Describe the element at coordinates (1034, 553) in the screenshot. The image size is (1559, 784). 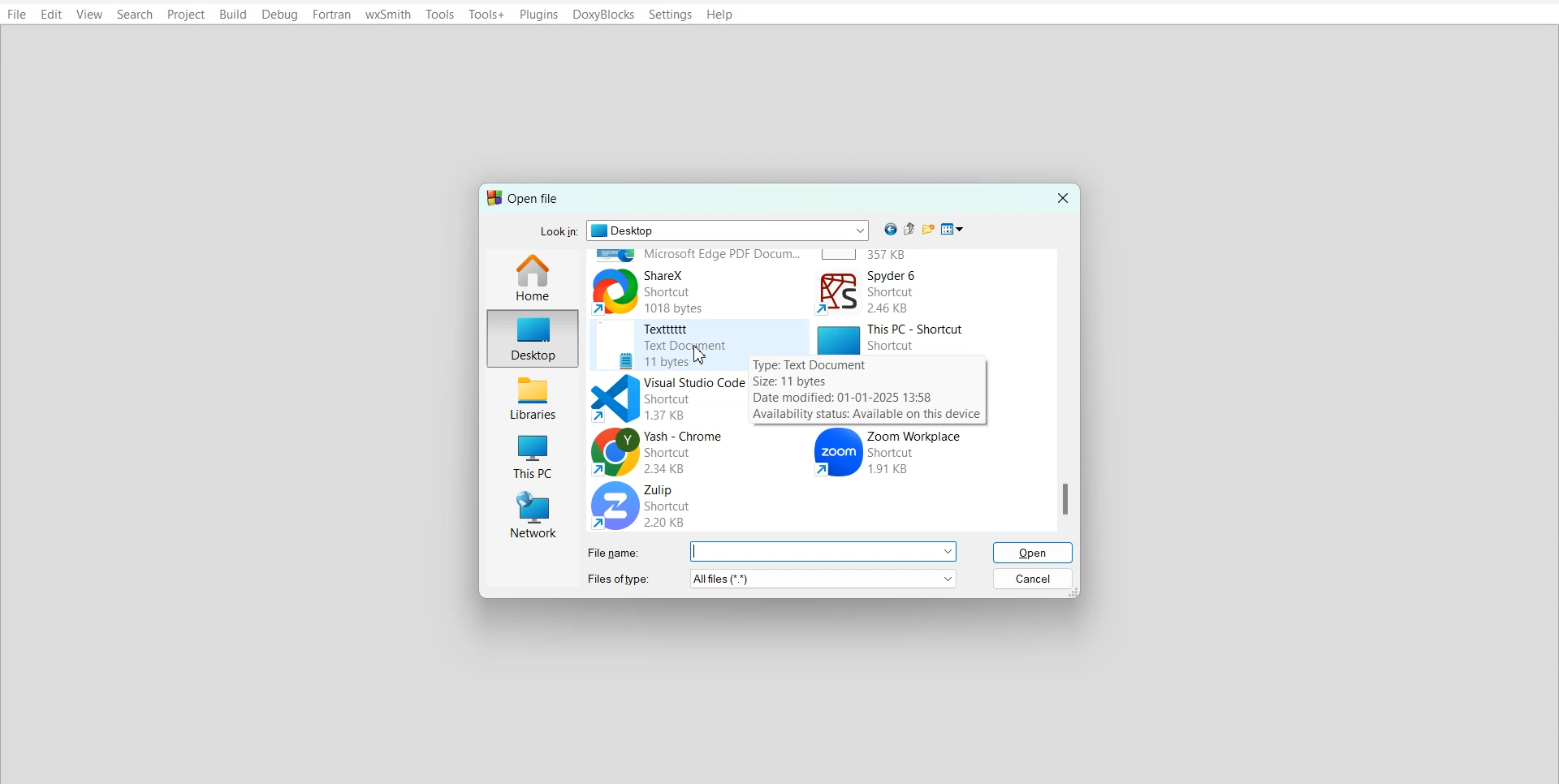
I see `Open ` at that location.